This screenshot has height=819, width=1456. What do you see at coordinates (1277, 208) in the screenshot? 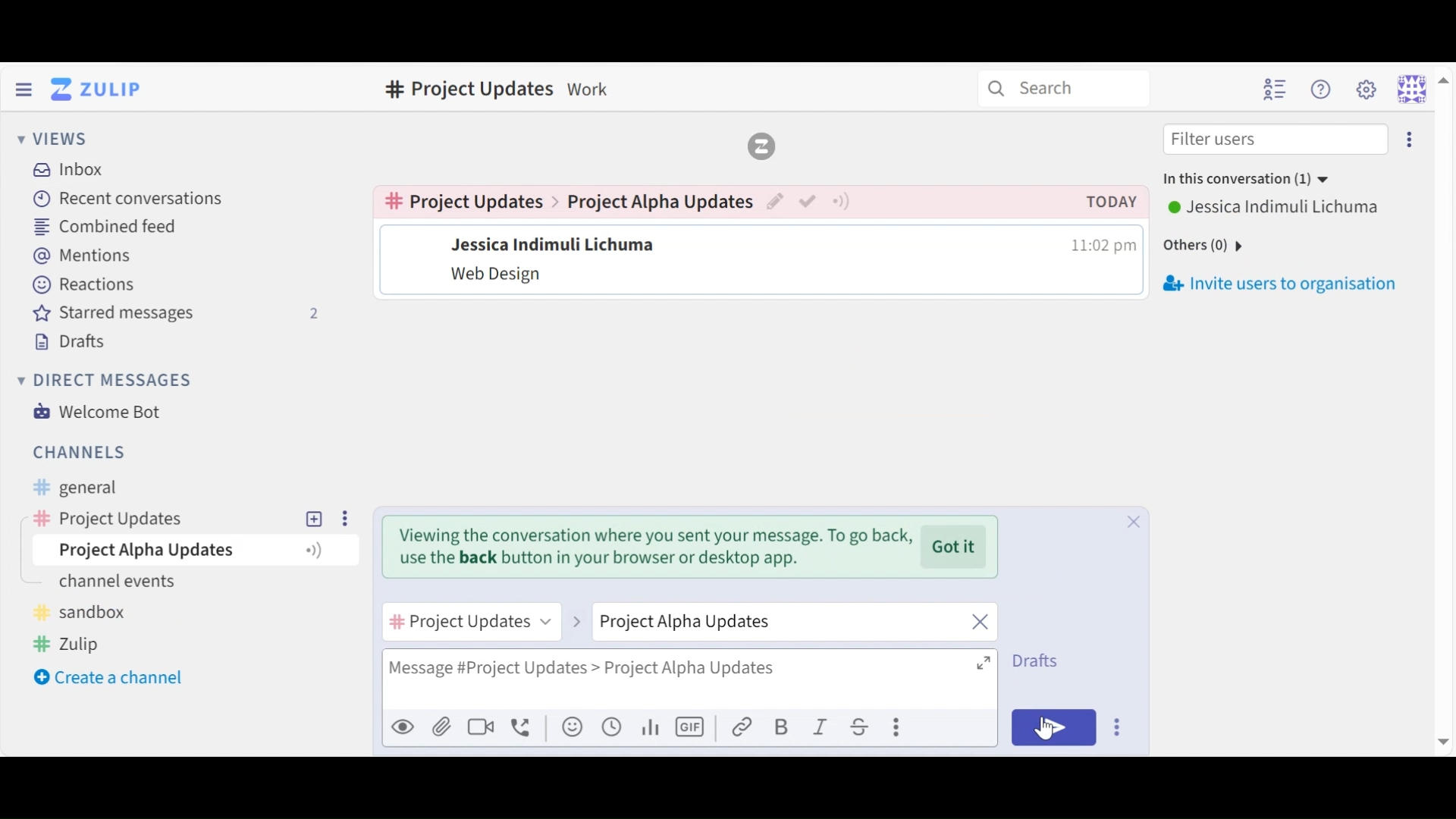
I see `Username` at bounding box center [1277, 208].